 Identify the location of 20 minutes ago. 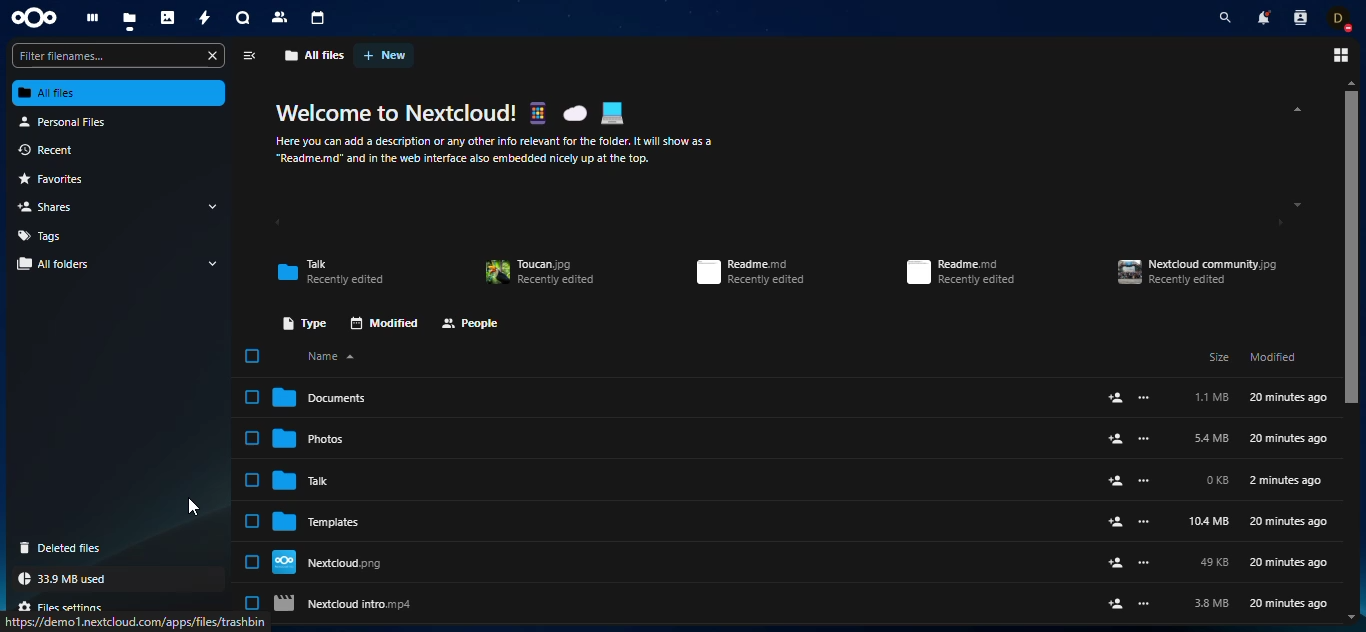
(1289, 438).